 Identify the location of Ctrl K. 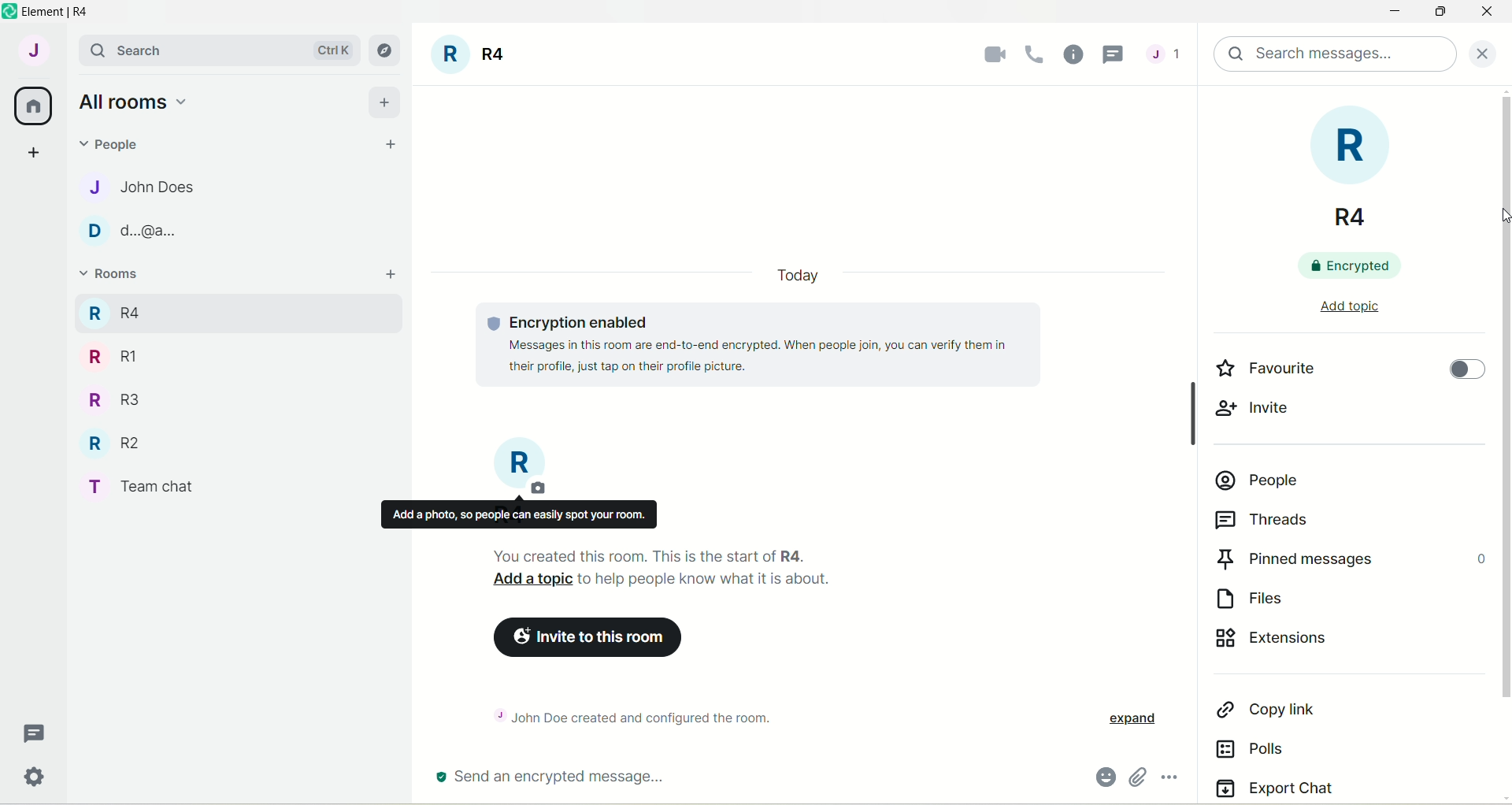
(330, 50).